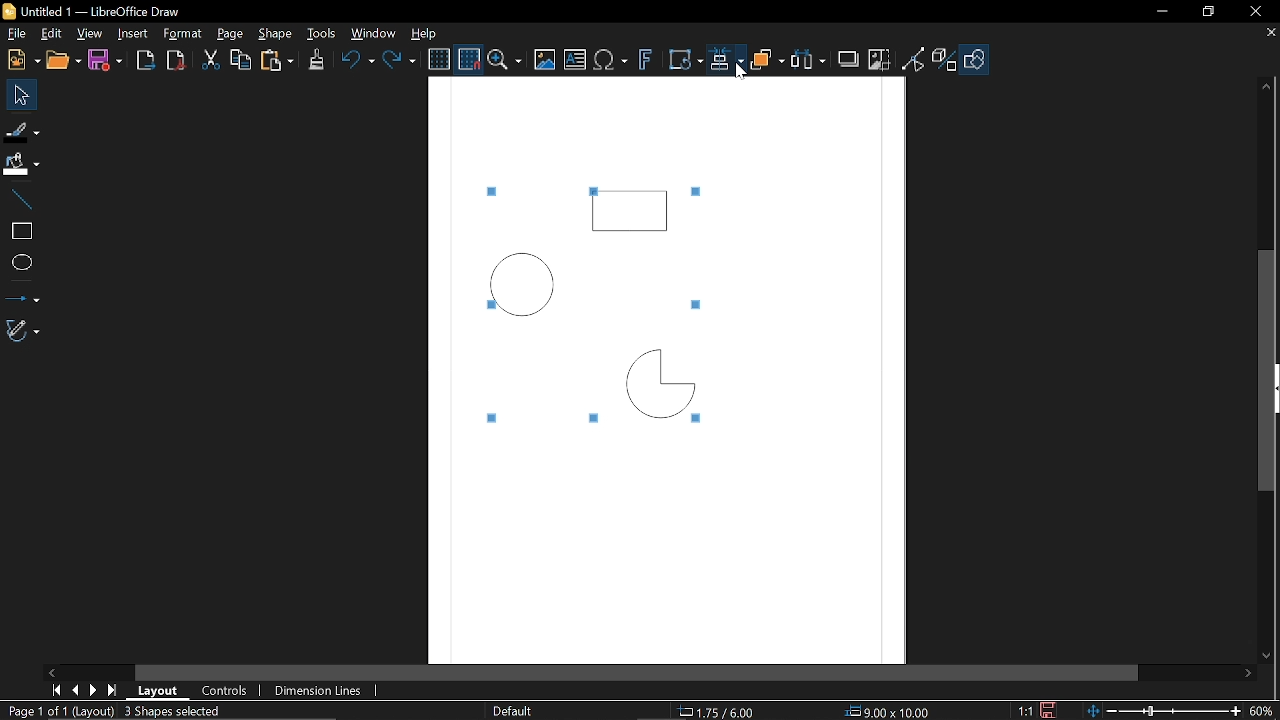 The width and height of the screenshot is (1280, 720). I want to click on File, so click(17, 36).